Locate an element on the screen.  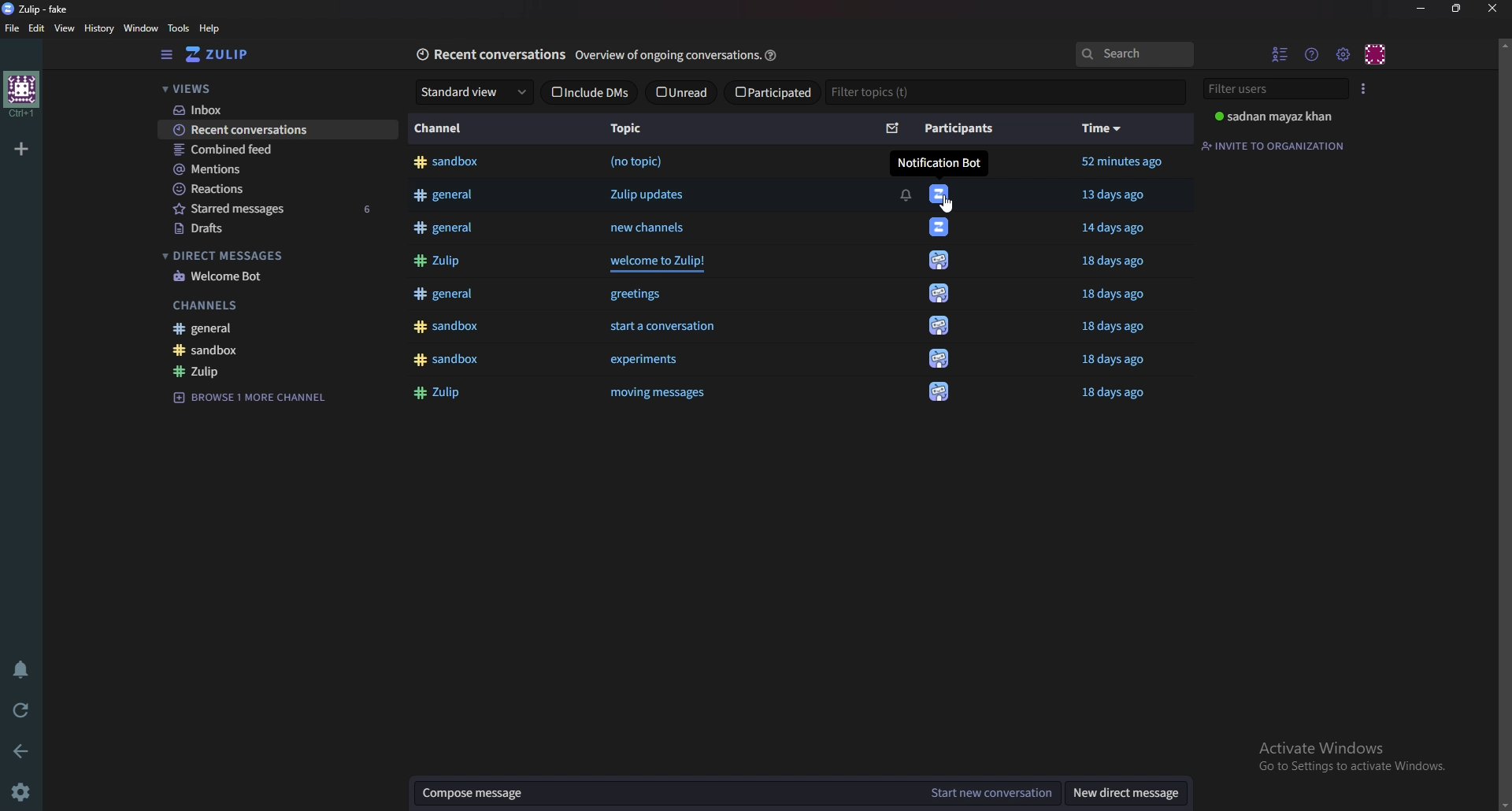
sort by unread message count is located at coordinates (893, 127).